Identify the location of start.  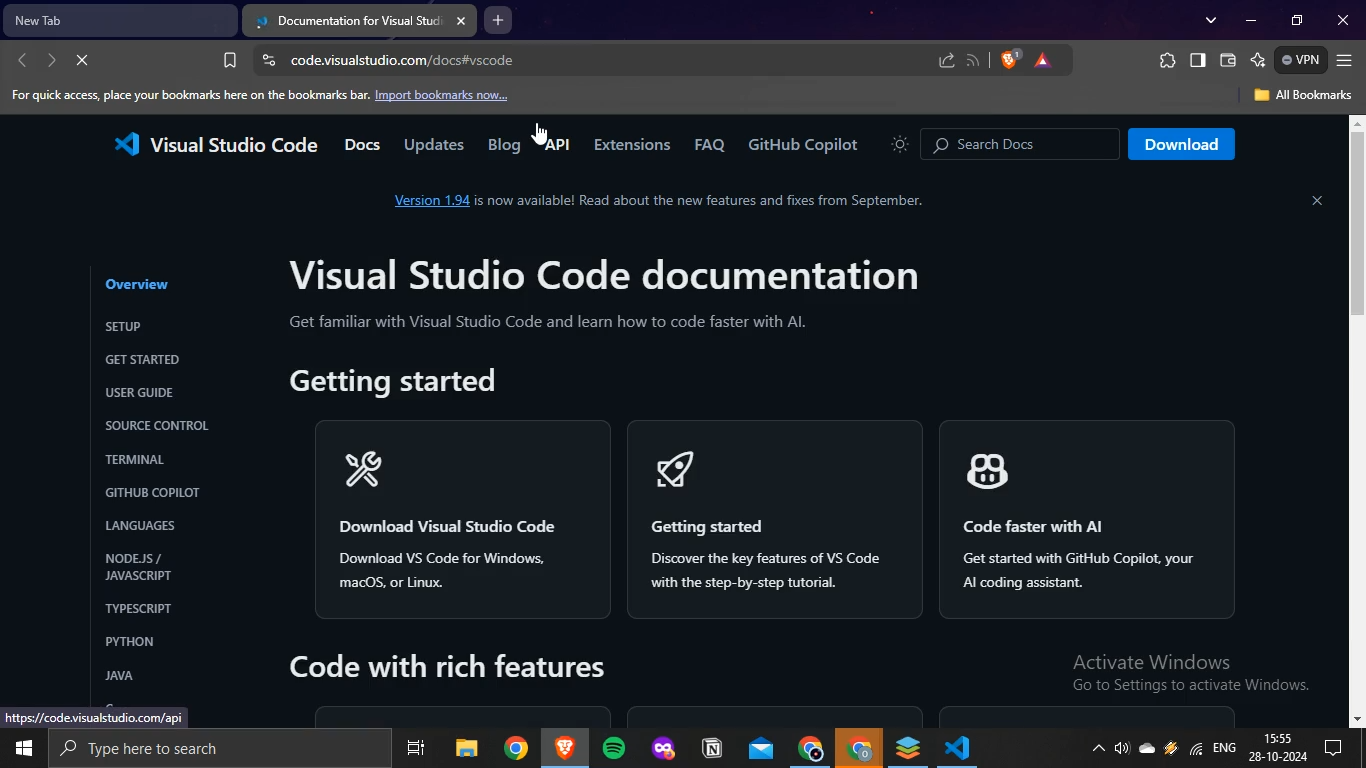
(20, 748).